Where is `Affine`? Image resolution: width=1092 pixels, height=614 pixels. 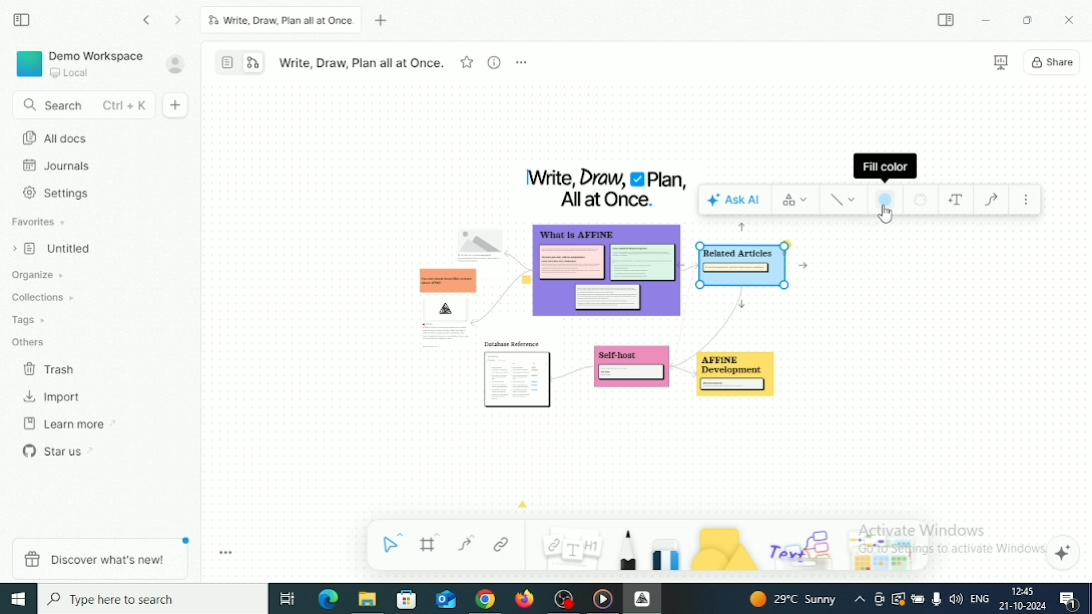 Affine is located at coordinates (642, 598).